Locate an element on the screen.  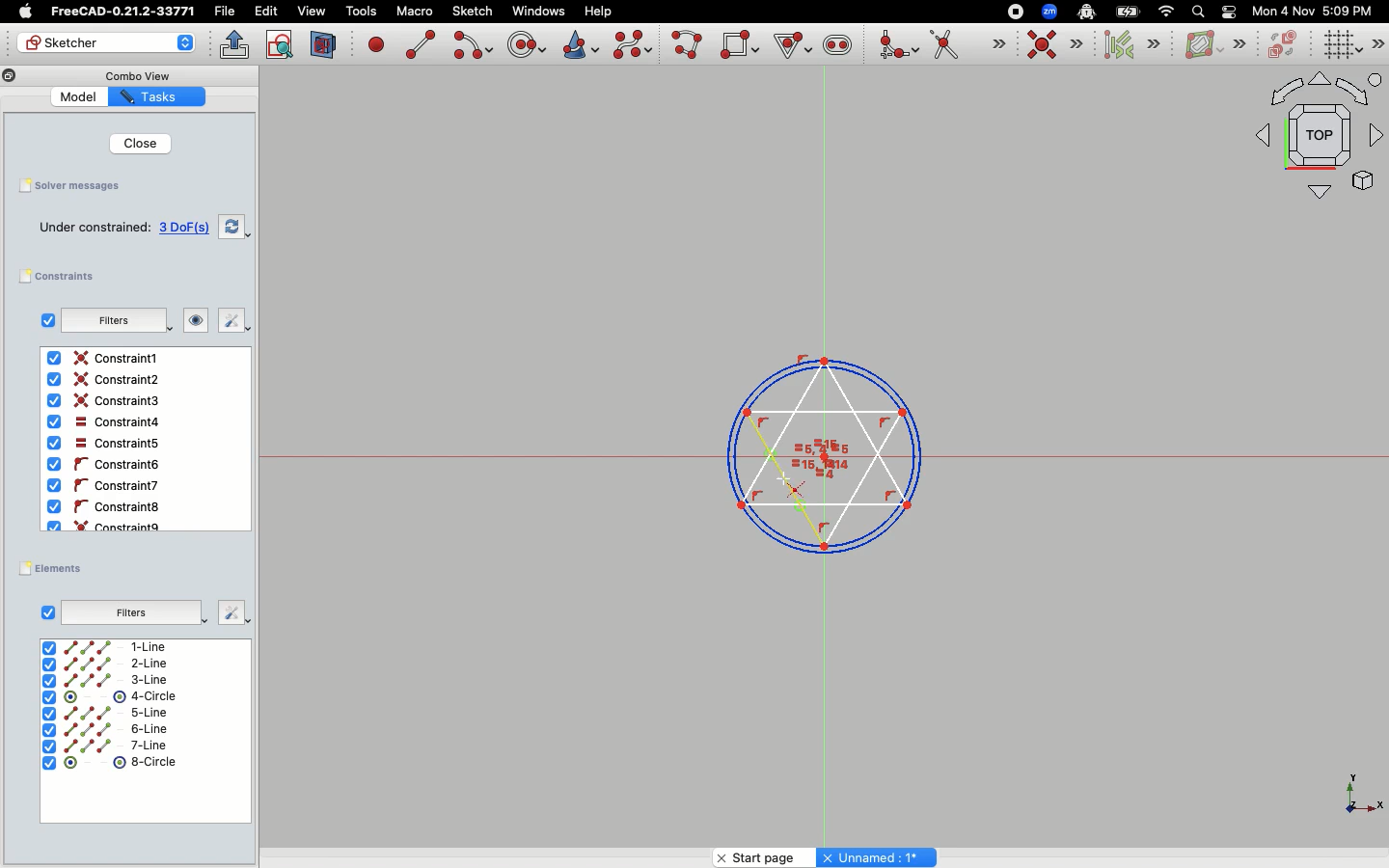
Contraint3 is located at coordinates (107, 401).